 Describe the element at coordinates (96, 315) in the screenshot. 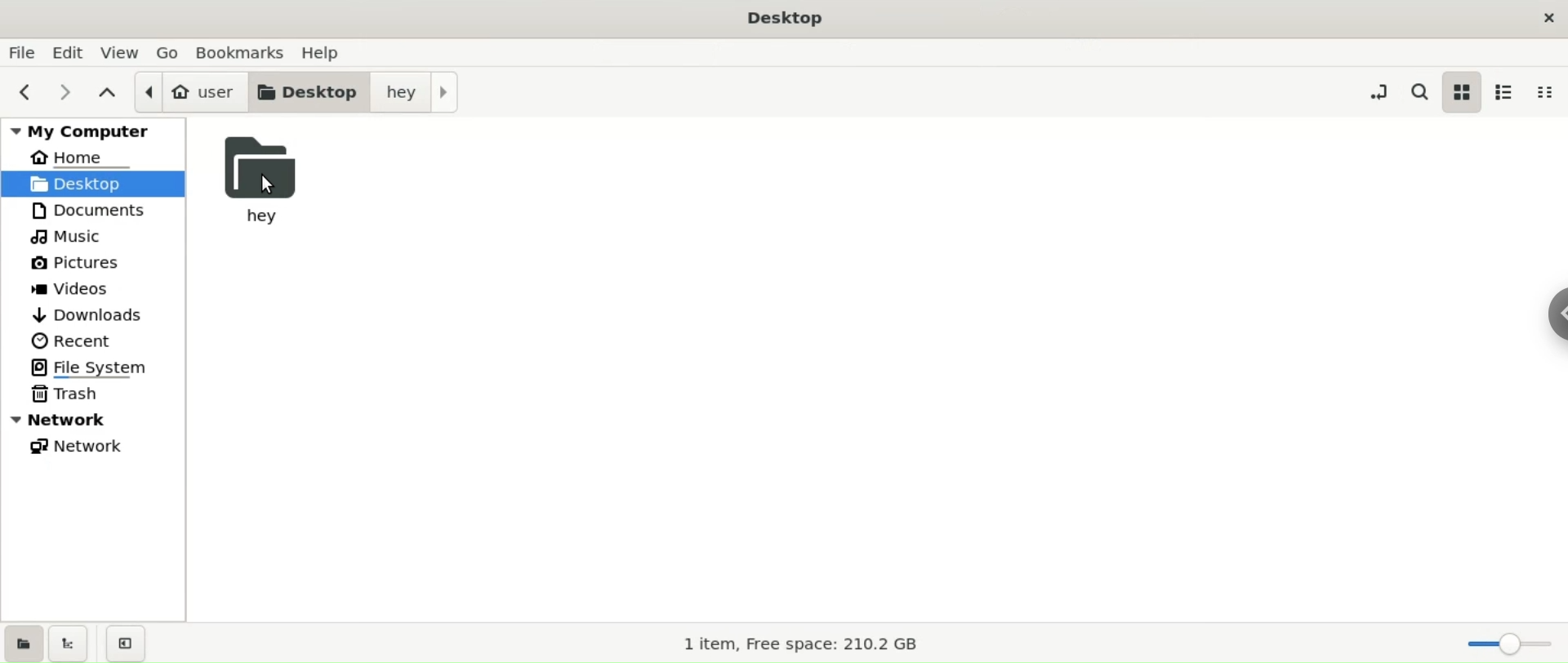

I see `downloads` at that location.